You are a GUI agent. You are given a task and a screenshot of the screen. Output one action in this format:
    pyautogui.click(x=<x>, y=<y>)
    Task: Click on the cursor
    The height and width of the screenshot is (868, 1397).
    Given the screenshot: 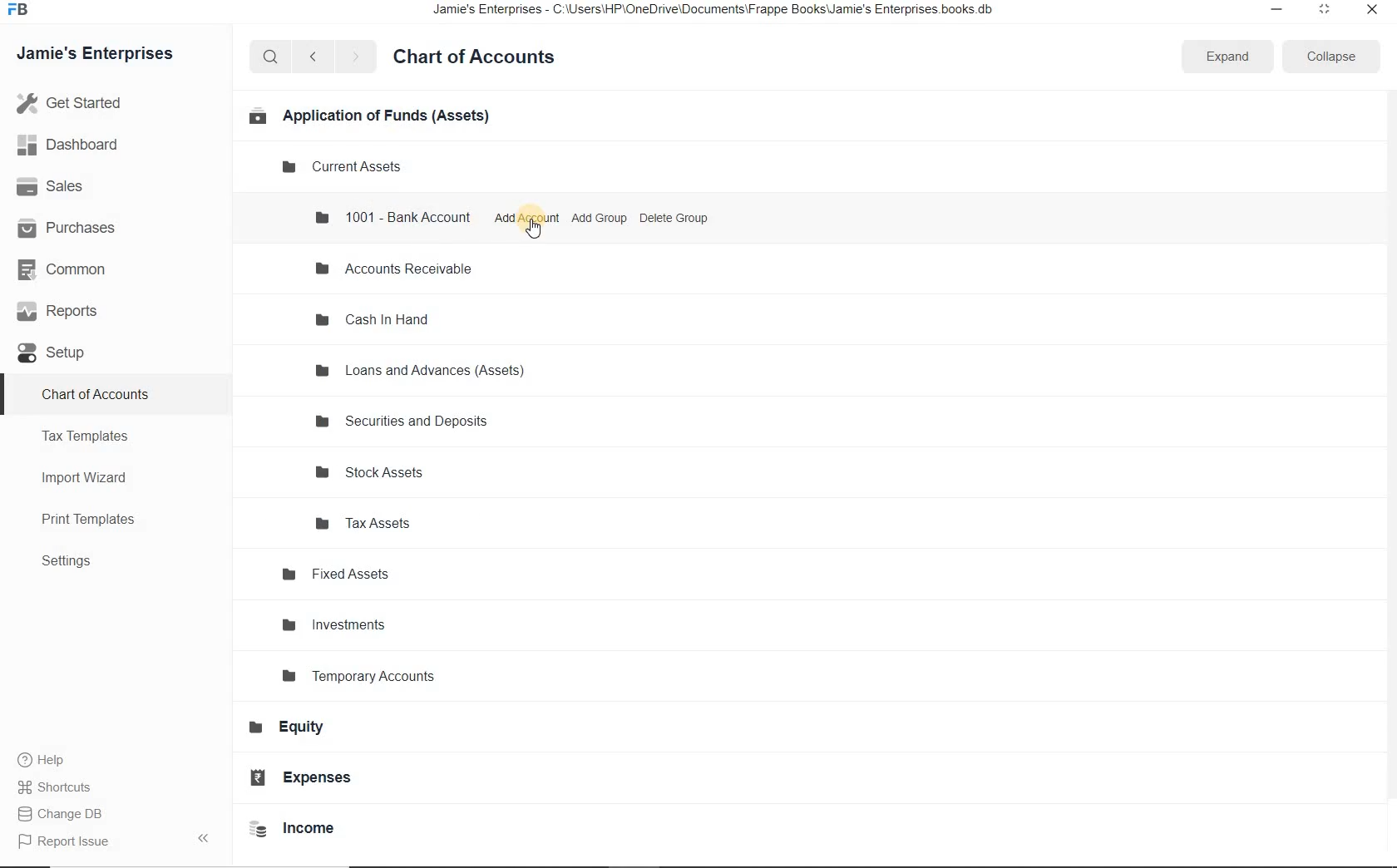 What is the action you would take?
    pyautogui.click(x=535, y=230)
    